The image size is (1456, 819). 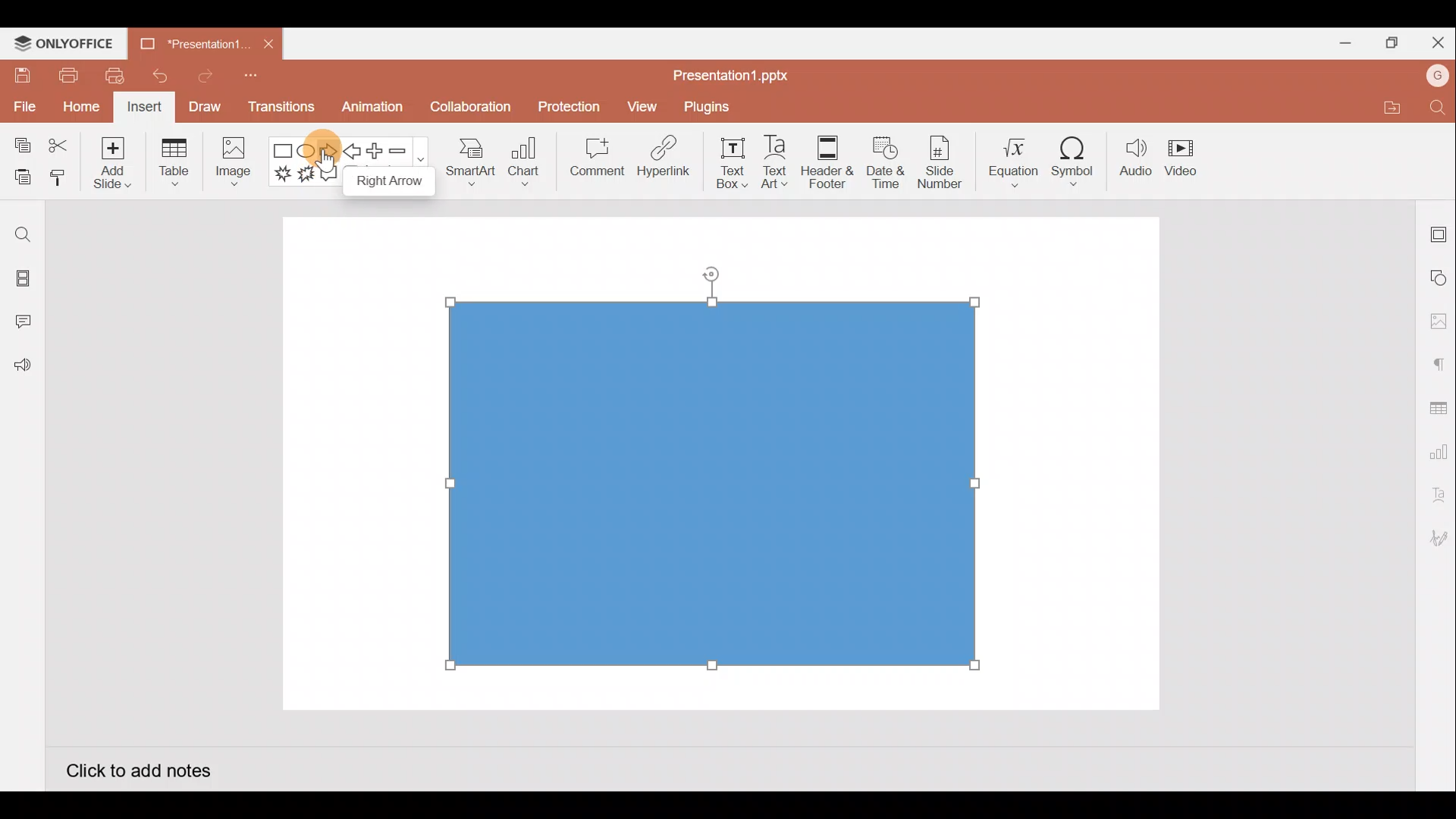 What do you see at coordinates (1074, 158) in the screenshot?
I see `Symbol` at bounding box center [1074, 158].